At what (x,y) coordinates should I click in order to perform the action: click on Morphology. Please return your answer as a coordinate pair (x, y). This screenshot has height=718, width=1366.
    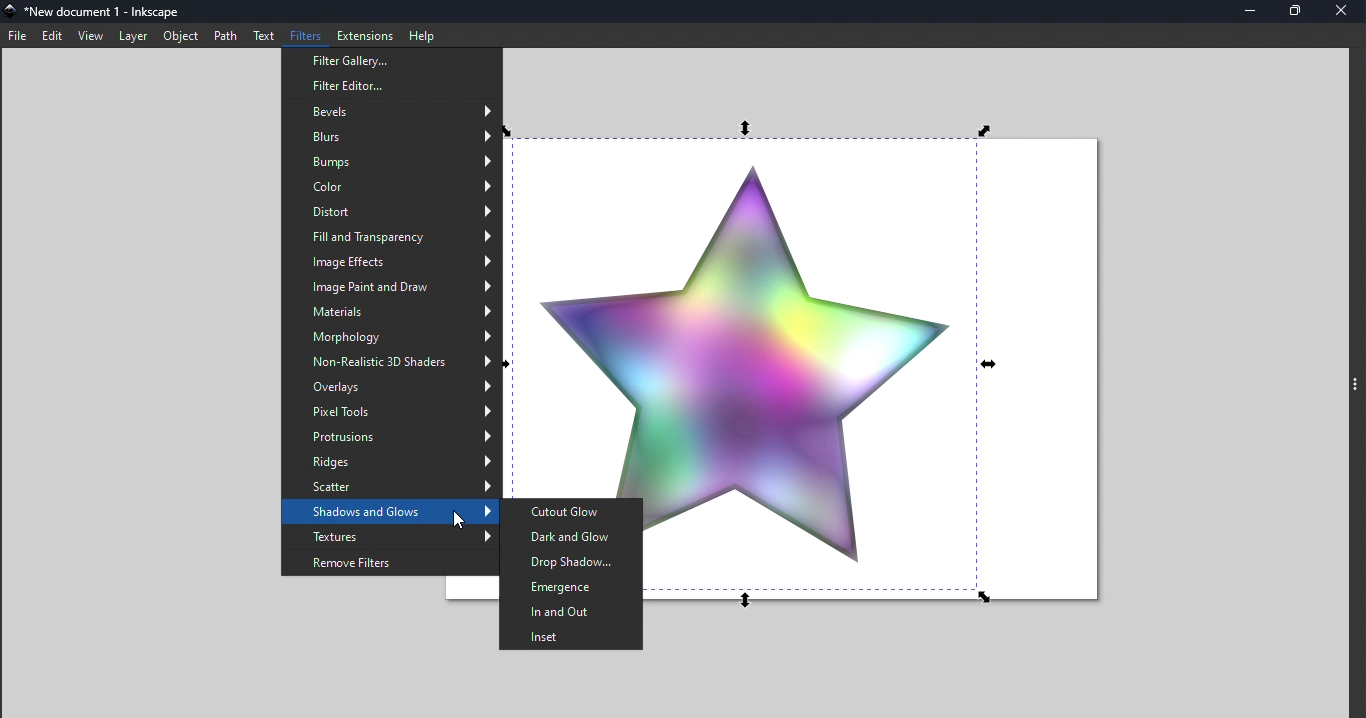
    Looking at the image, I should click on (393, 336).